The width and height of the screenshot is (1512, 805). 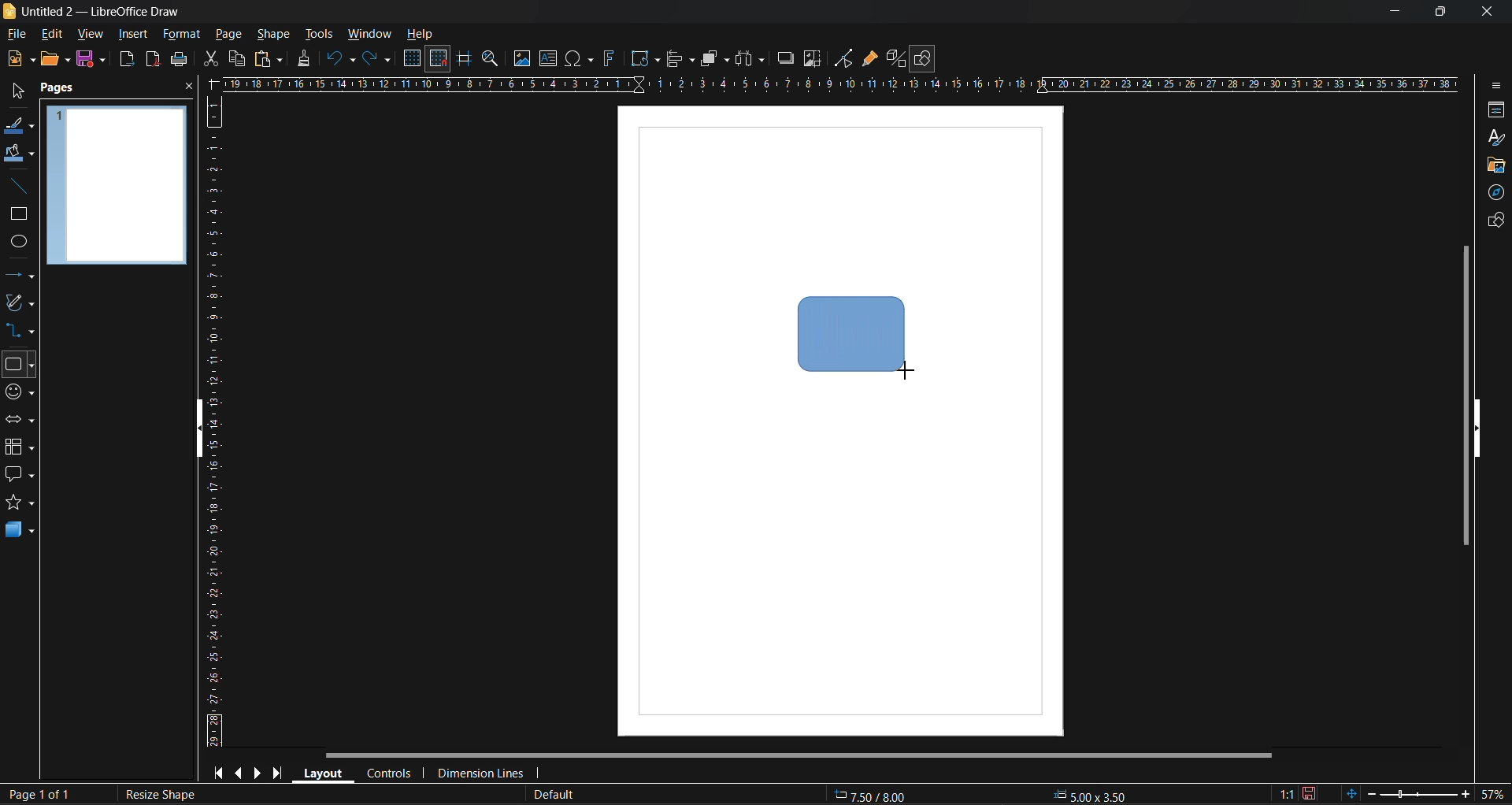 What do you see at coordinates (16, 215) in the screenshot?
I see `rectangle` at bounding box center [16, 215].